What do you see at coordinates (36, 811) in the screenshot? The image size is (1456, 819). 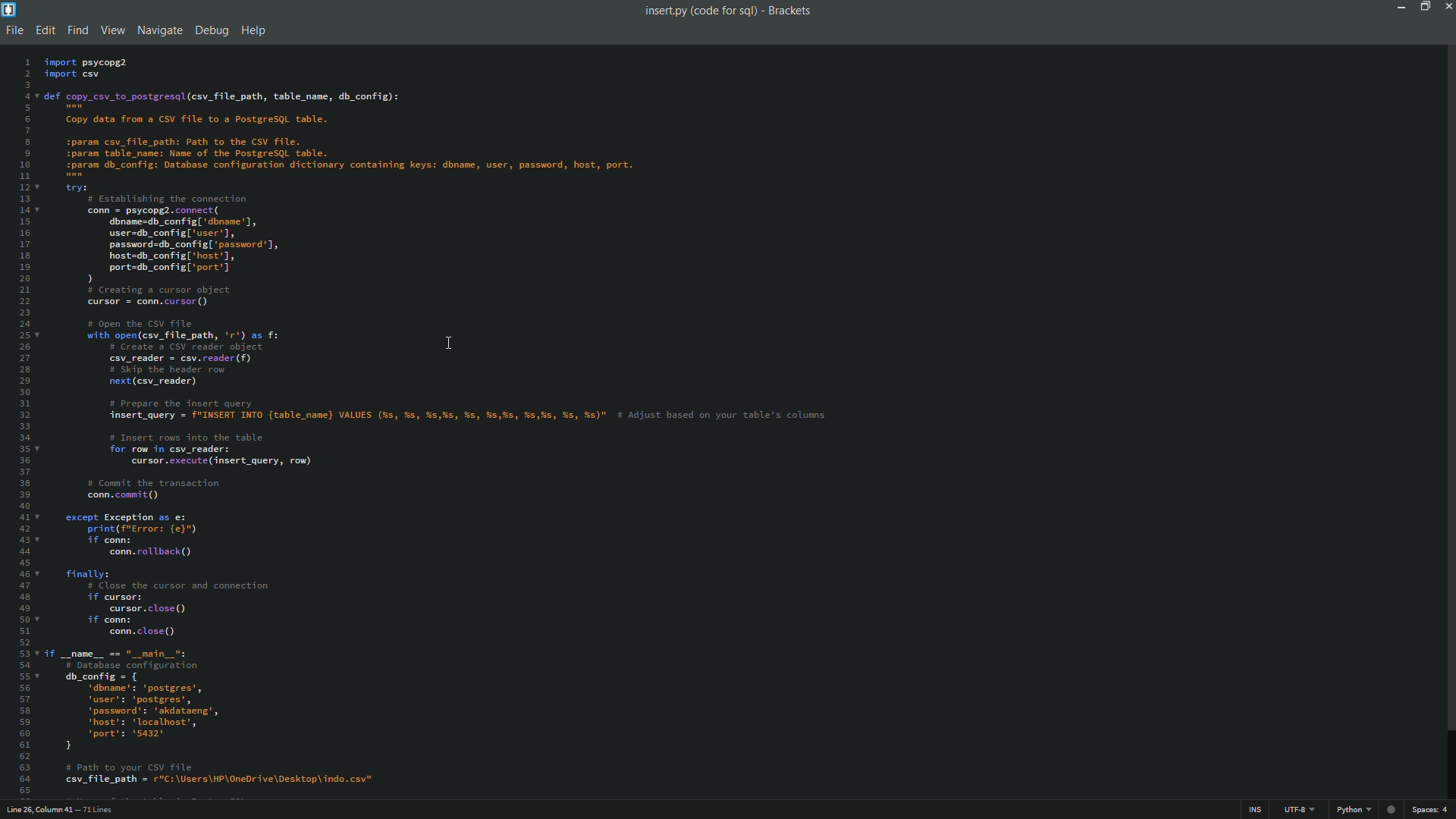 I see `cursor position` at bounding box center [36, 811].